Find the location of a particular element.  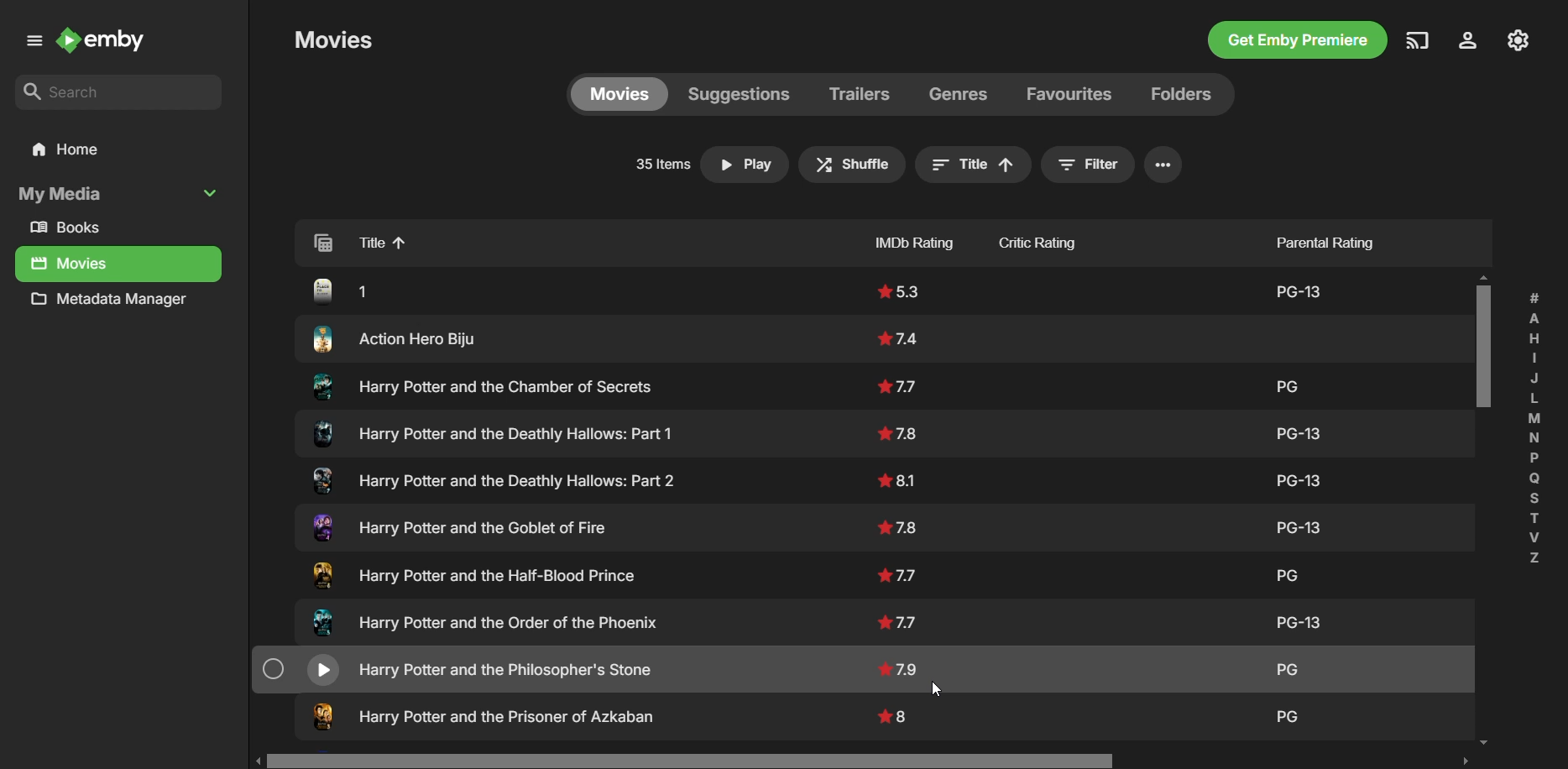

 is located at coordinates (899, 289).